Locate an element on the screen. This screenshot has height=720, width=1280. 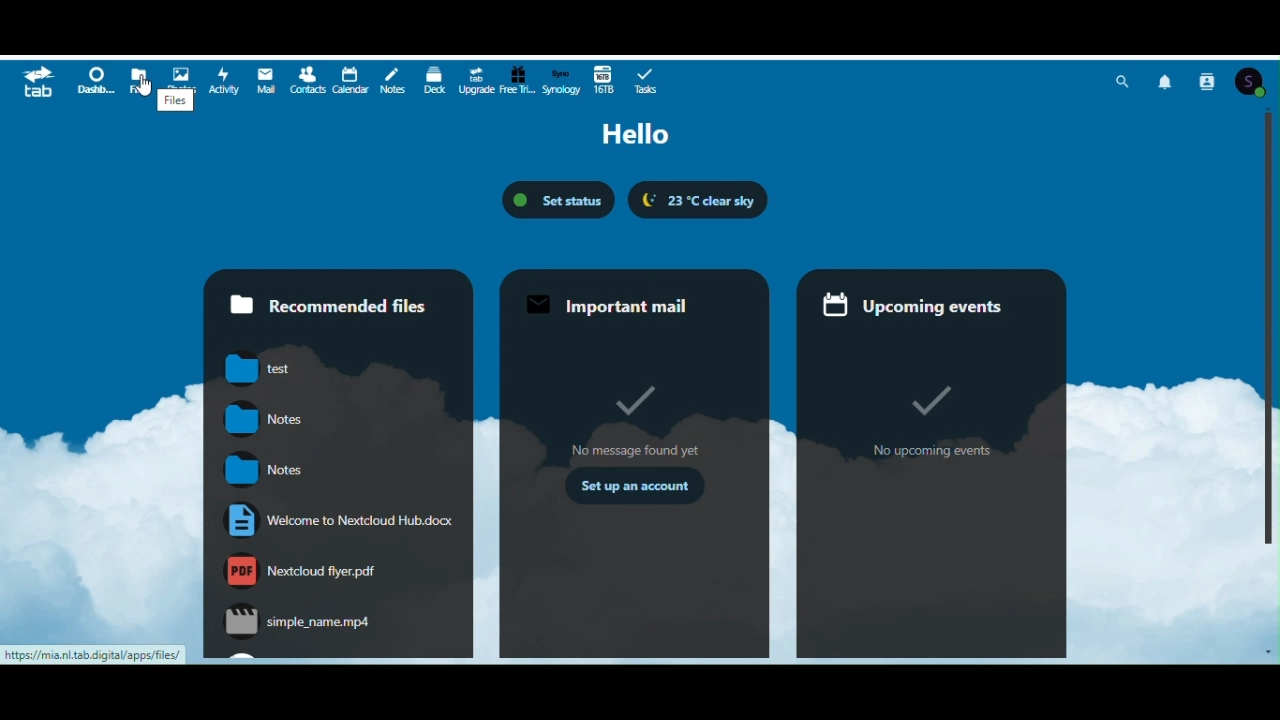
 is located at coordinates (34, 84).